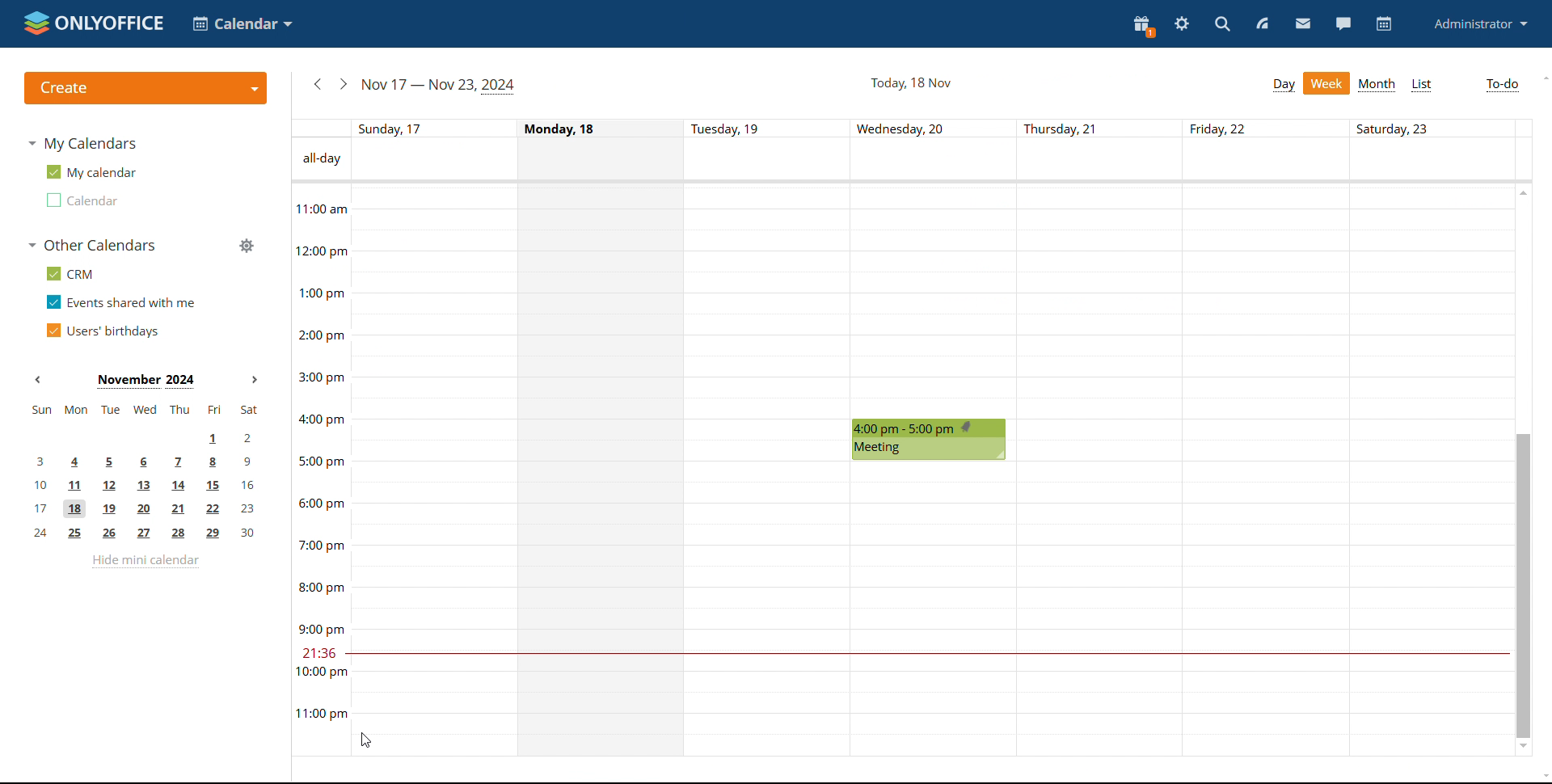  What do you see at coordinates (1183, 23) in the screenshot?
I see `settings` at bounding box center [1183, 23].